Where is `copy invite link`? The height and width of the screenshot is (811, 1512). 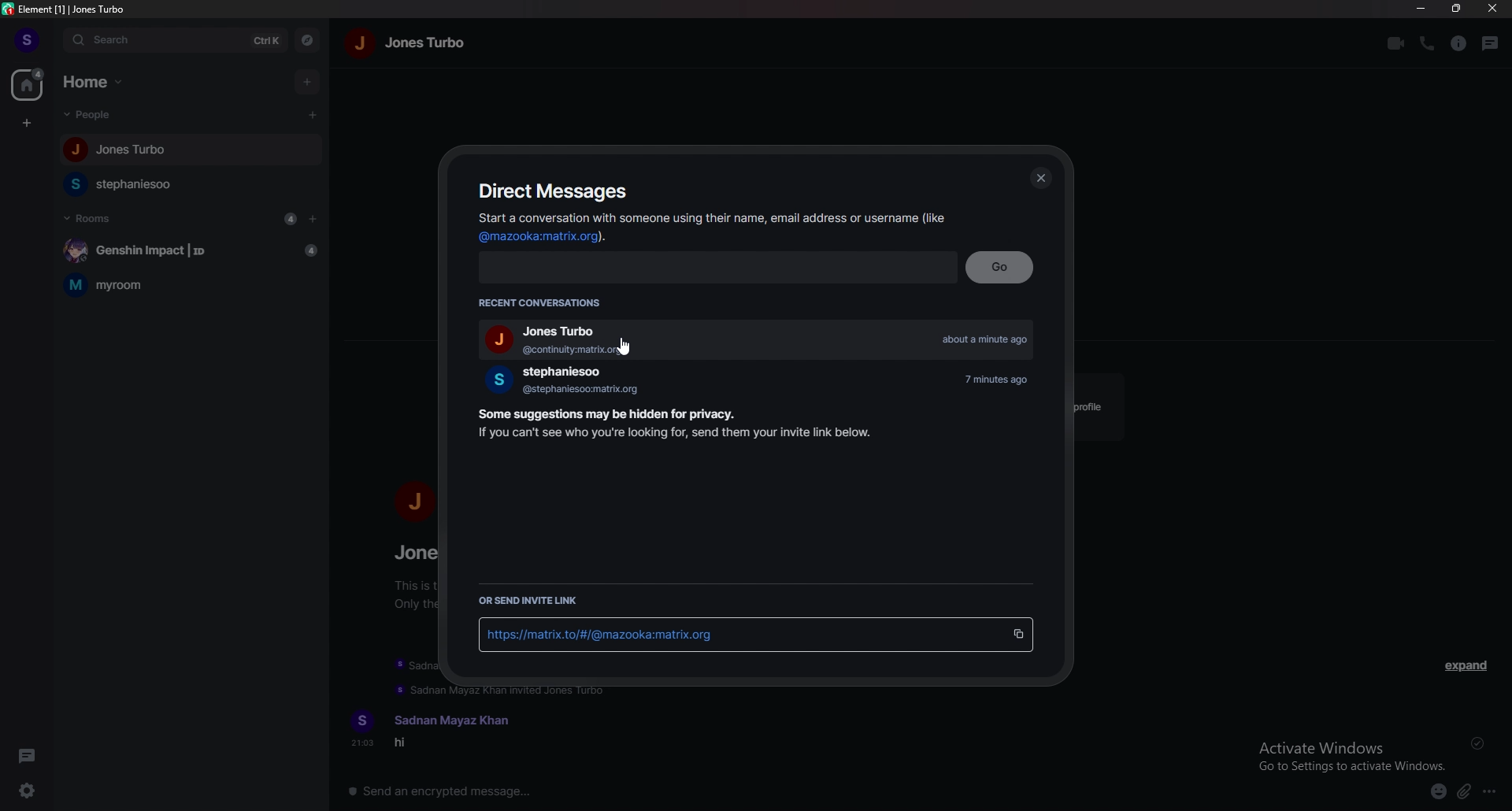
copy invite link is located at coordinates (1017, 635).